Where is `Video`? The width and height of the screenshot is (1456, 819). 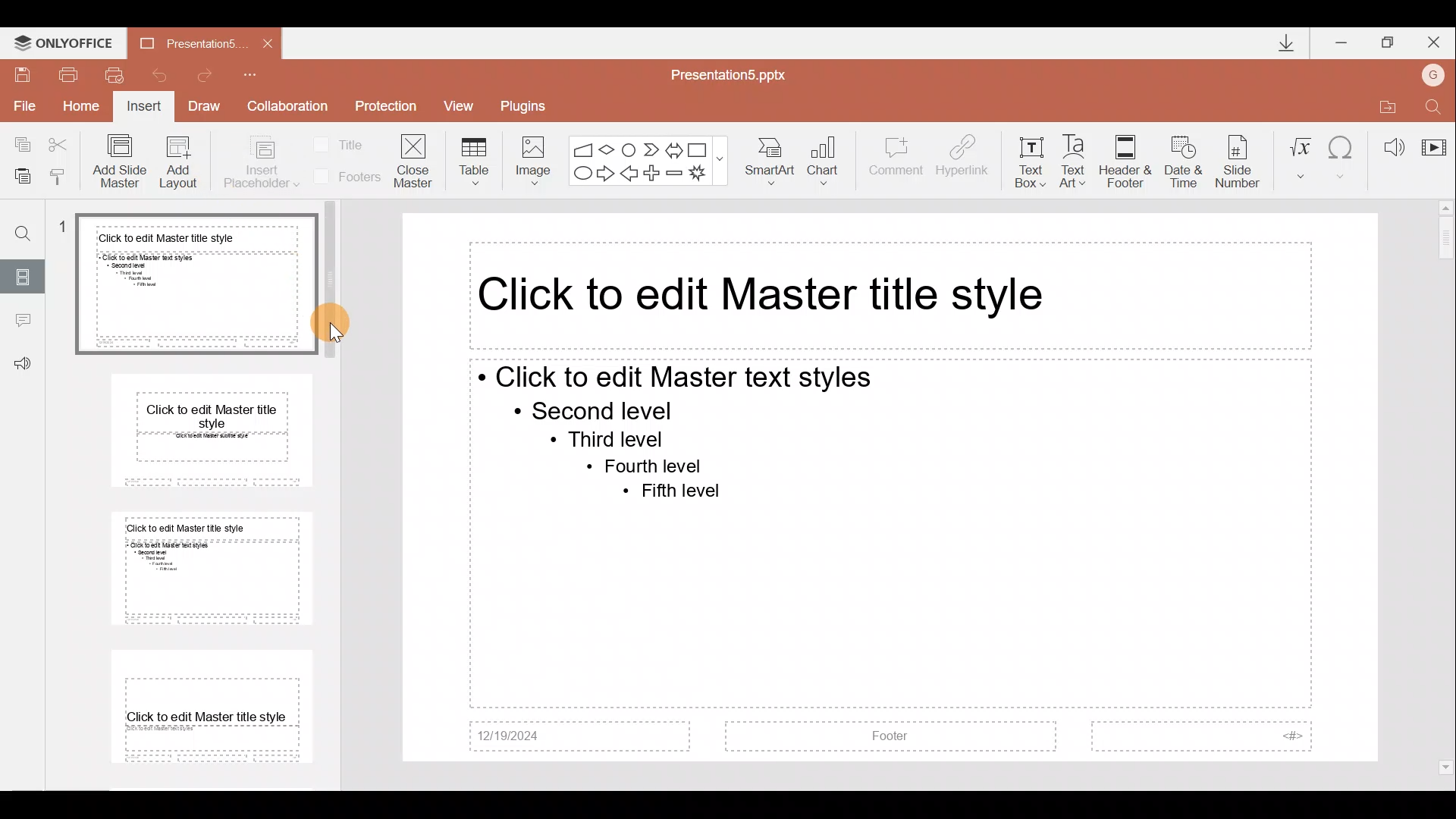 Video is located at coordinates (1433, 140).